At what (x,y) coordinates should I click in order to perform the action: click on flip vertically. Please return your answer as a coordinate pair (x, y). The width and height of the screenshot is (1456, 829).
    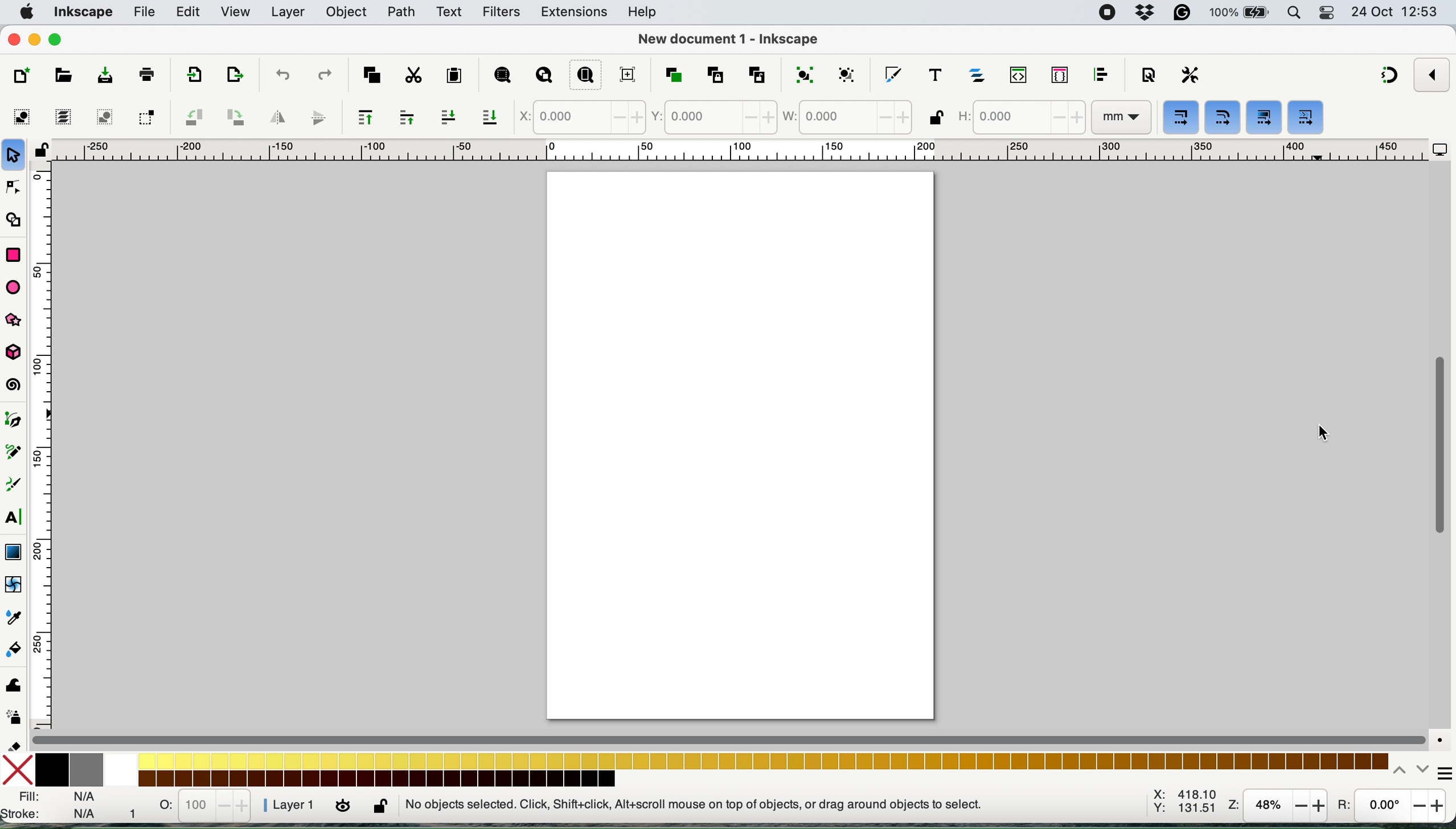
    Looking at the image, I should click on (319, 117).